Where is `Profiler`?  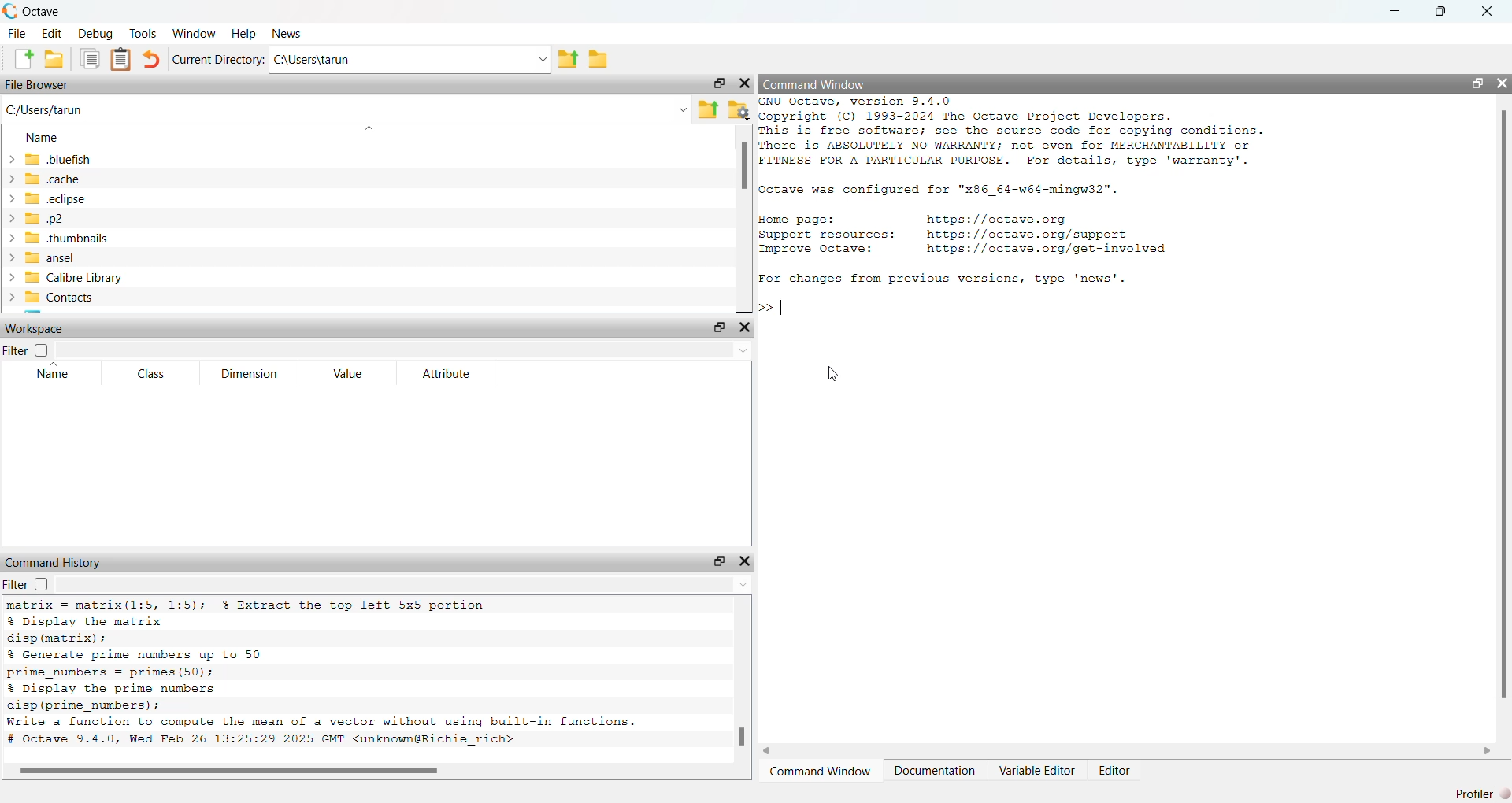
Profiler is located at coordinates (1482, 794).